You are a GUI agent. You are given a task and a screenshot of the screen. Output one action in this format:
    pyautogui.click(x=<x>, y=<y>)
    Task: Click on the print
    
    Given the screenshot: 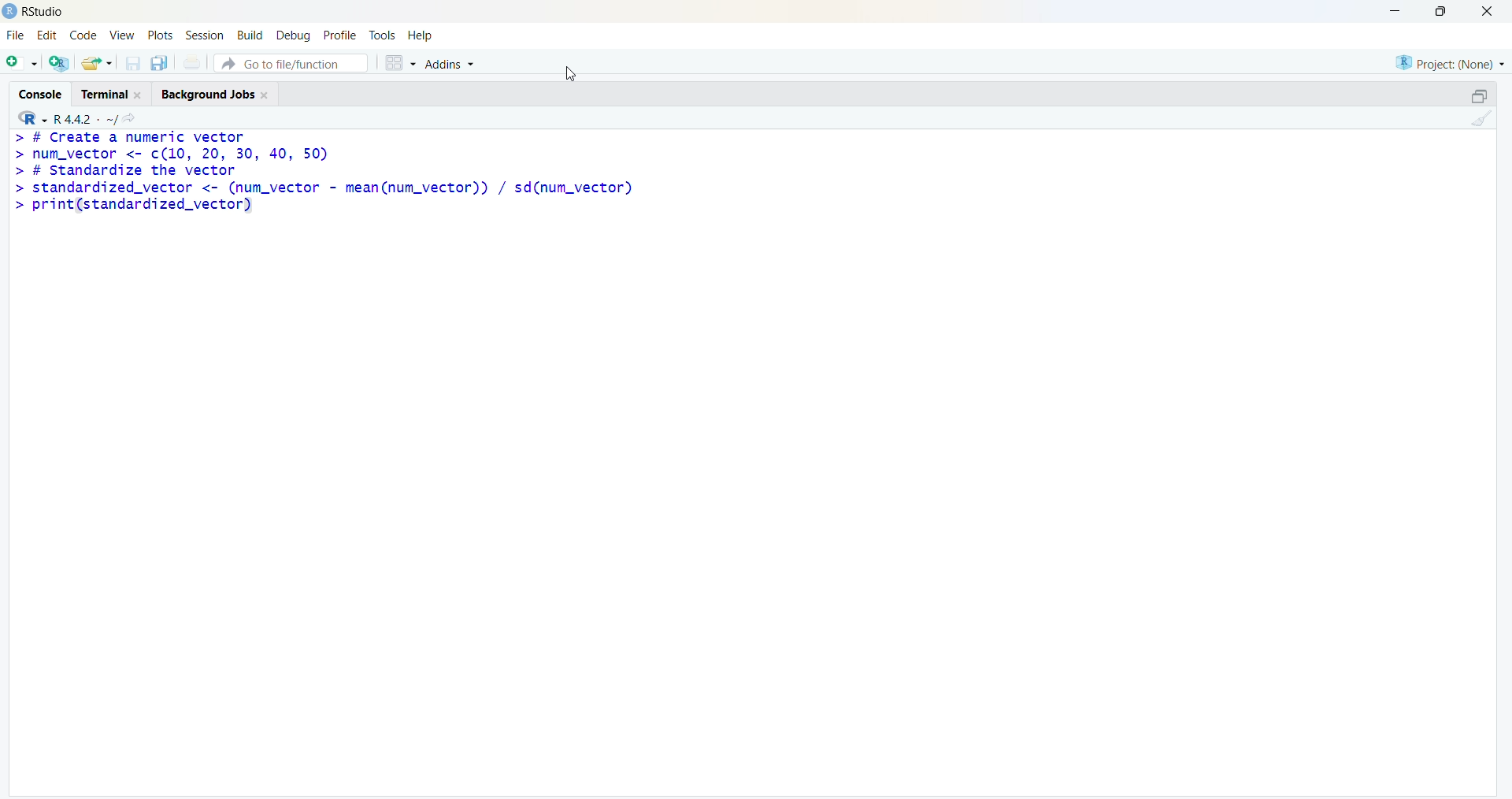 What is the action you would take?
    pyautogui.click(x=192, y=61)
    